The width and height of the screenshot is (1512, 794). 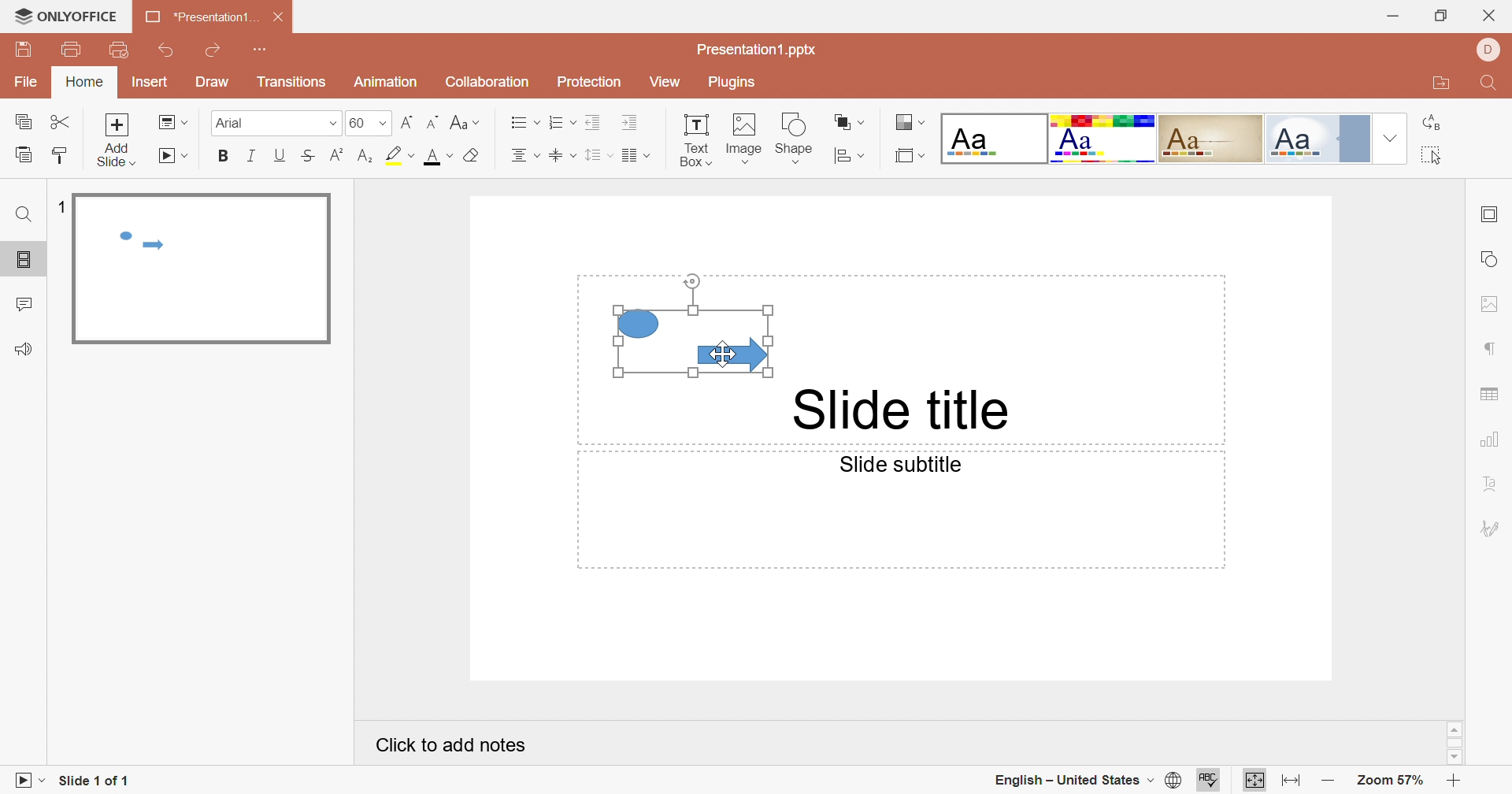 What do you see at coordinates (694, 326) in the screenshot?
I see `Grouped shapes` at bounding box center [694, 326].